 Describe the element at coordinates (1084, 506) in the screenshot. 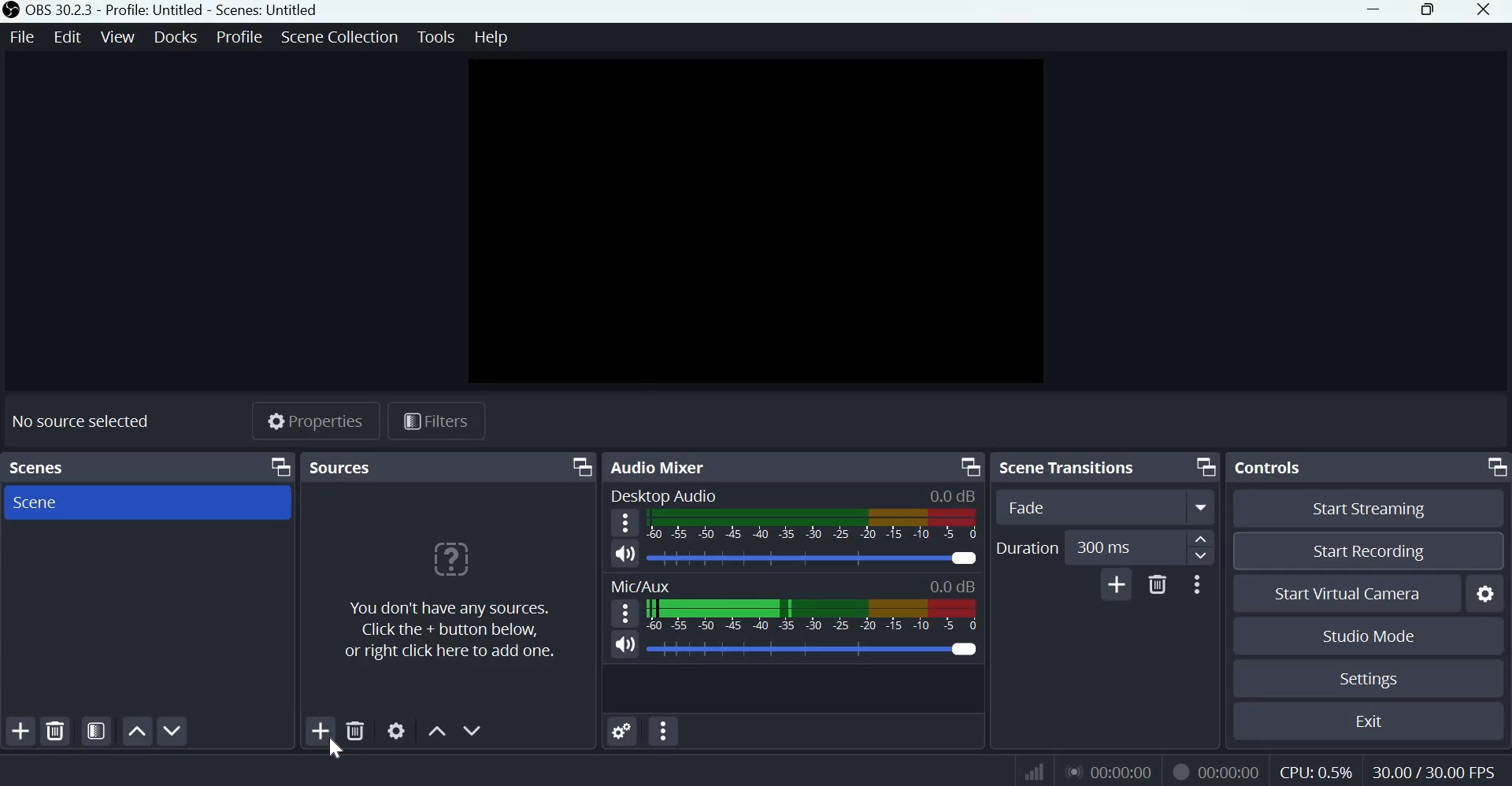

I see `Fade` at that location.